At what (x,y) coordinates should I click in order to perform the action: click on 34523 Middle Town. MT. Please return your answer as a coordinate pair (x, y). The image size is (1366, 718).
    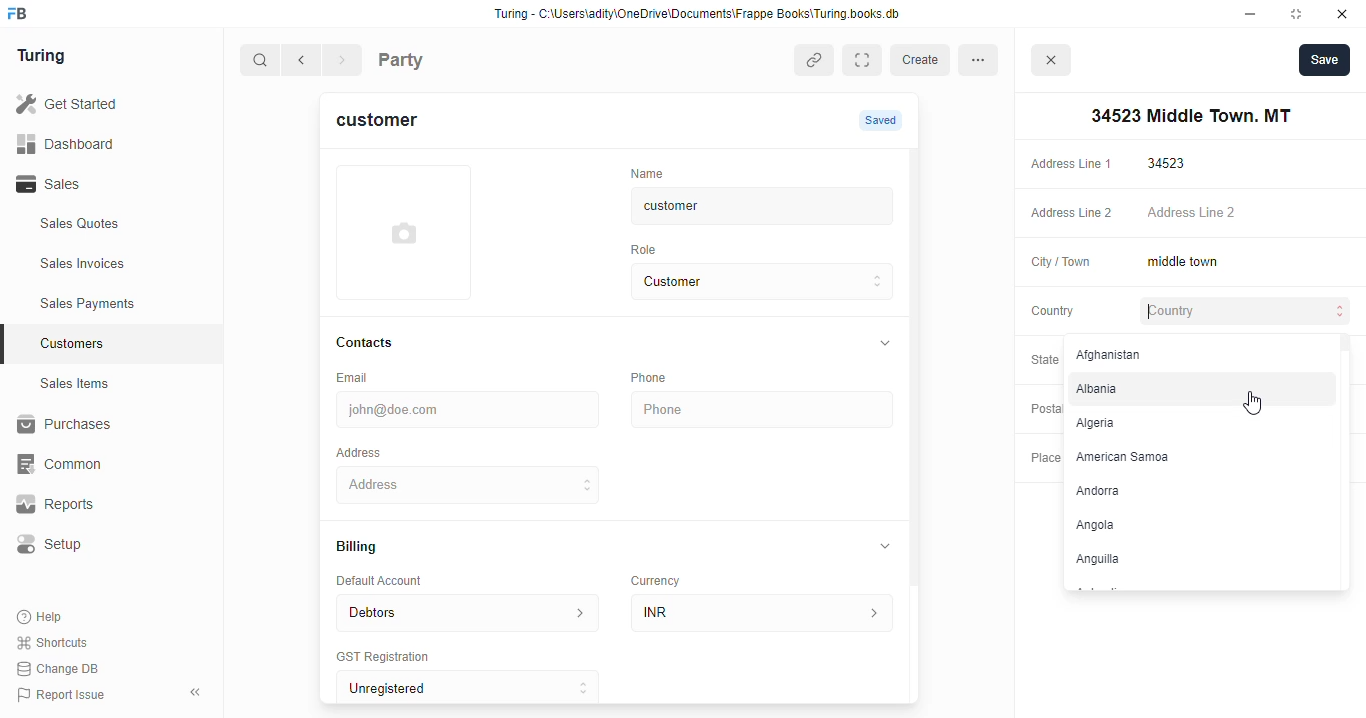
    Looking at the image, I should click on (471, 484).